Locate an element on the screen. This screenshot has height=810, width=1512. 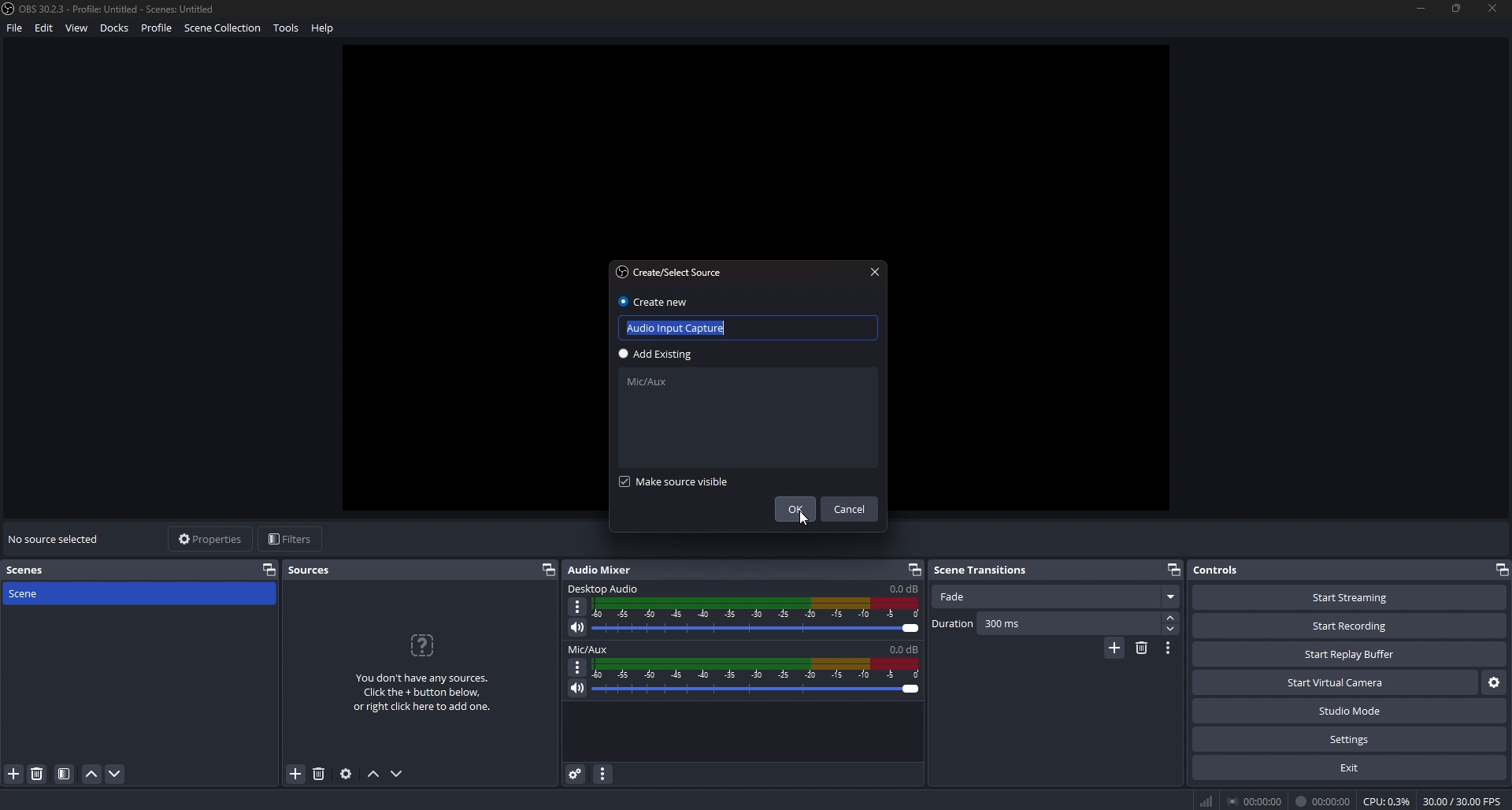
scene transitions is located at coordinates (984, 570).